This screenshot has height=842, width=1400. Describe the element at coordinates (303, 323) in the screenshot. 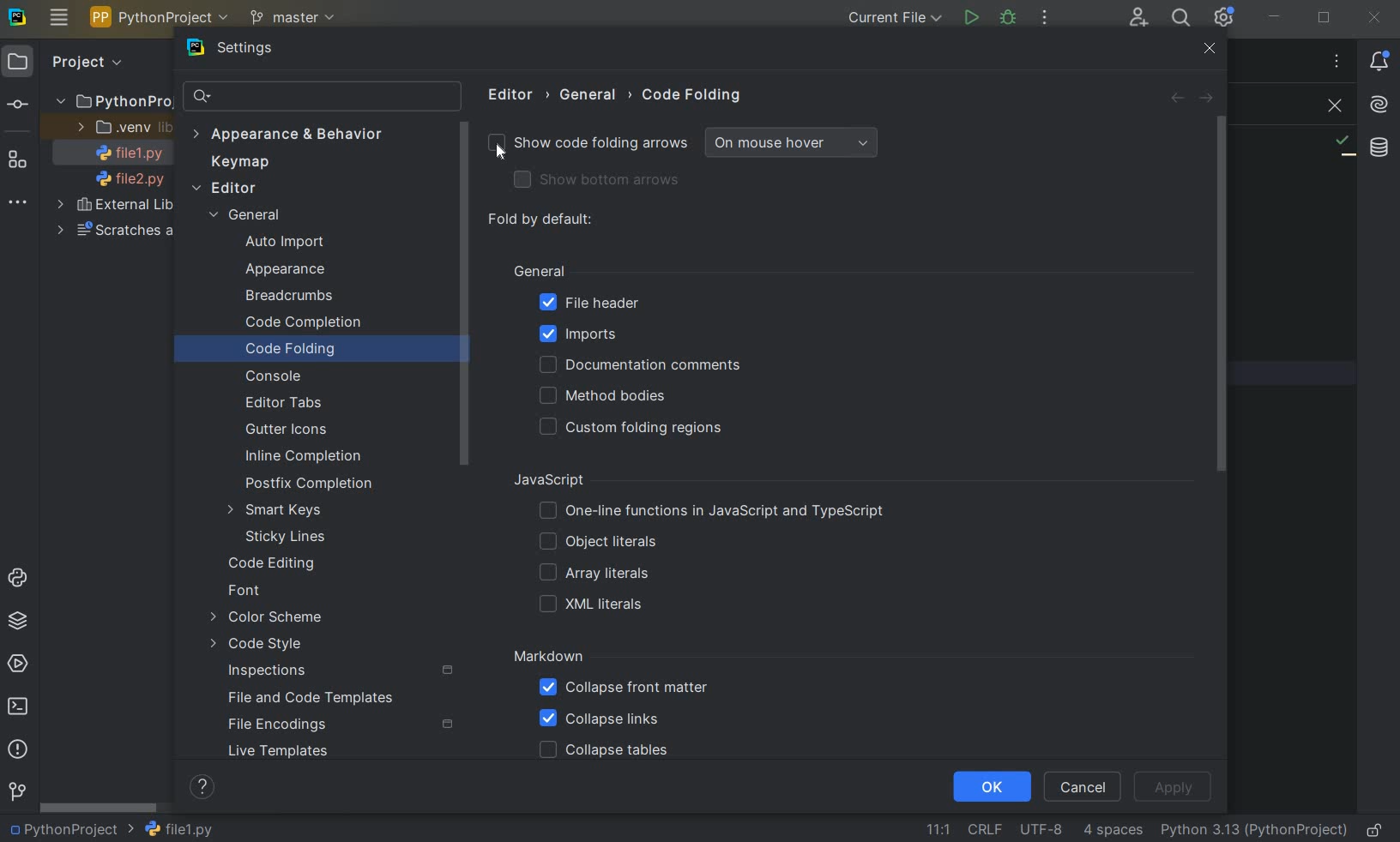

I see `CODE COMPLETION` at that location.